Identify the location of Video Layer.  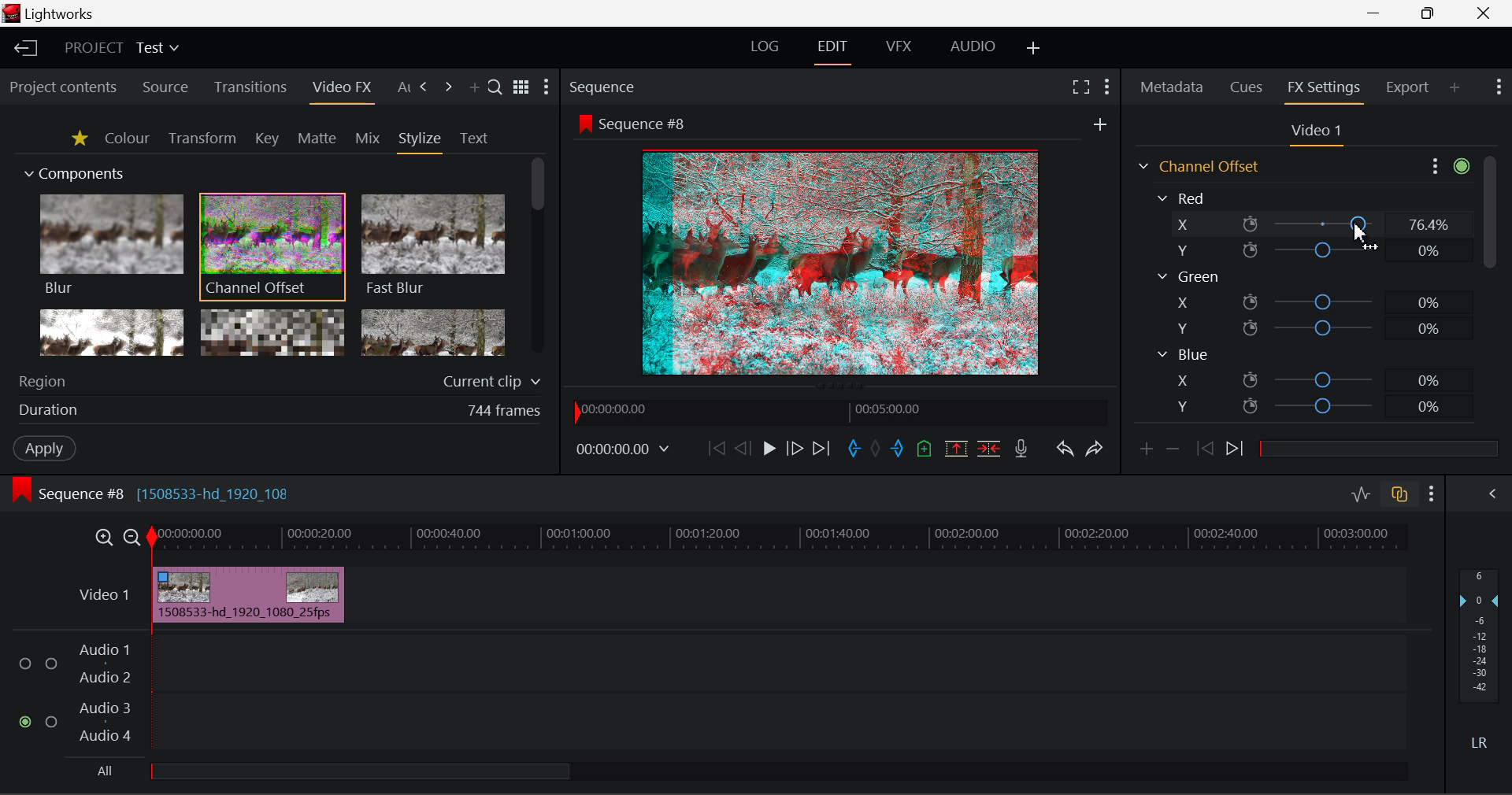
(106, 598).